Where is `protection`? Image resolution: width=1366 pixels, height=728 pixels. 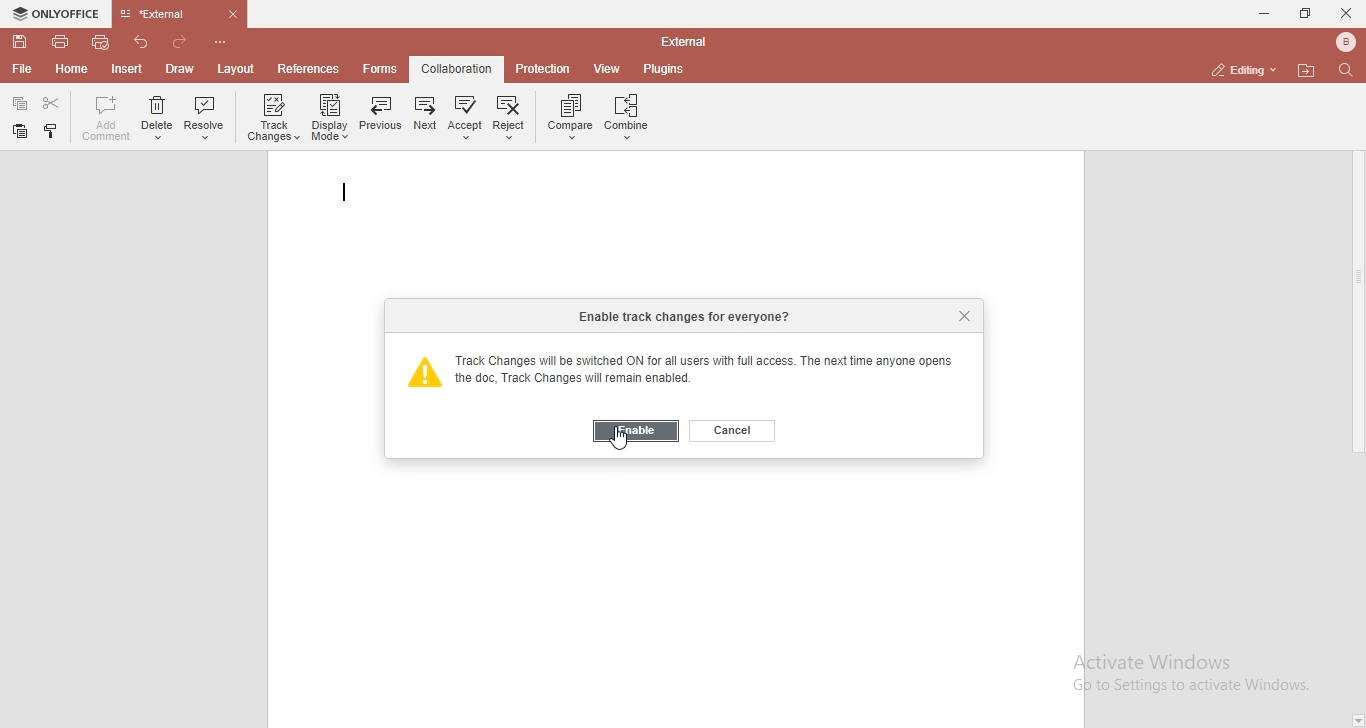 protection is located at coordinates (544, 68).